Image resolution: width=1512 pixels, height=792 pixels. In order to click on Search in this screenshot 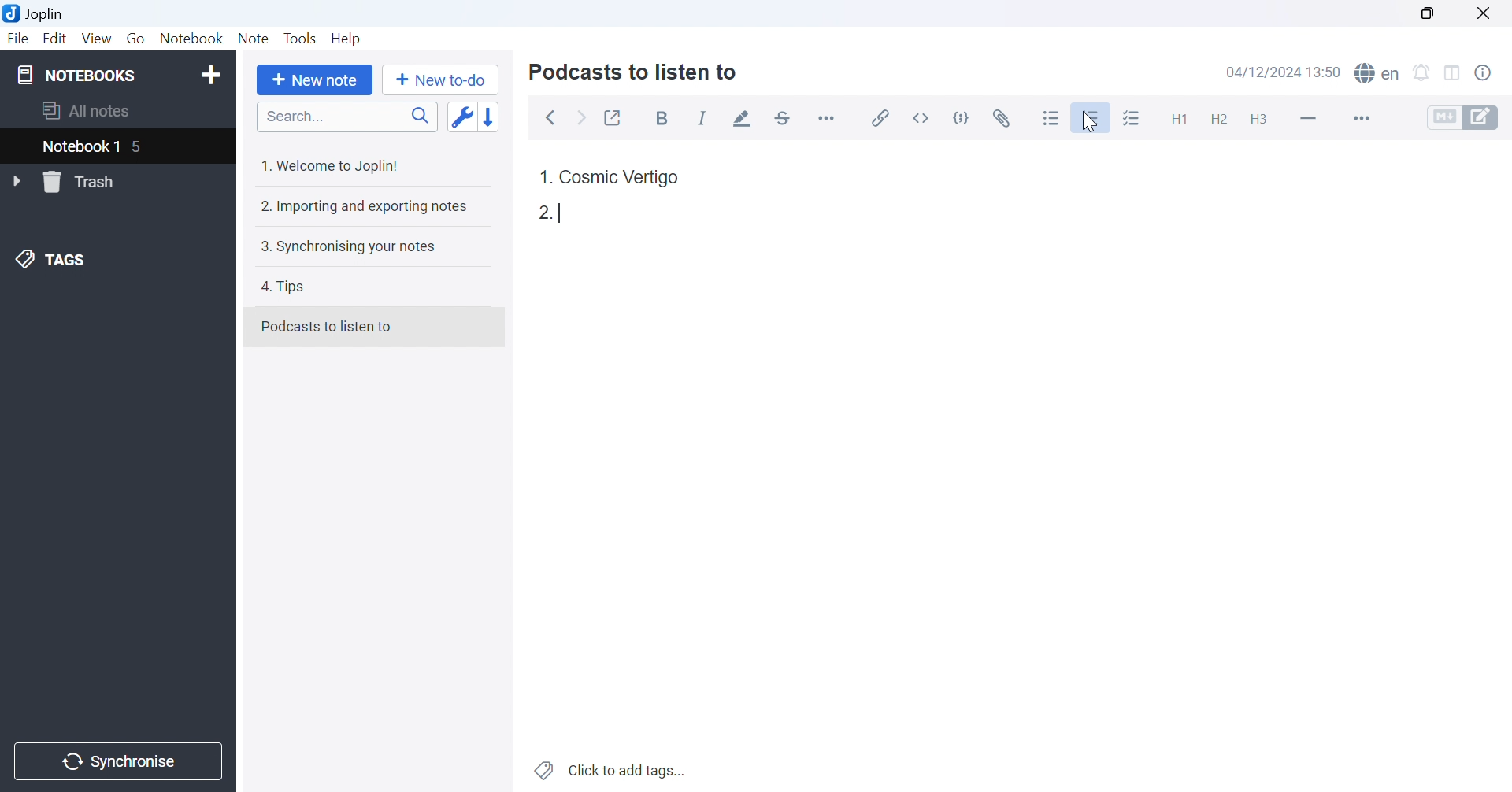, I will do `click(346, 117)`.